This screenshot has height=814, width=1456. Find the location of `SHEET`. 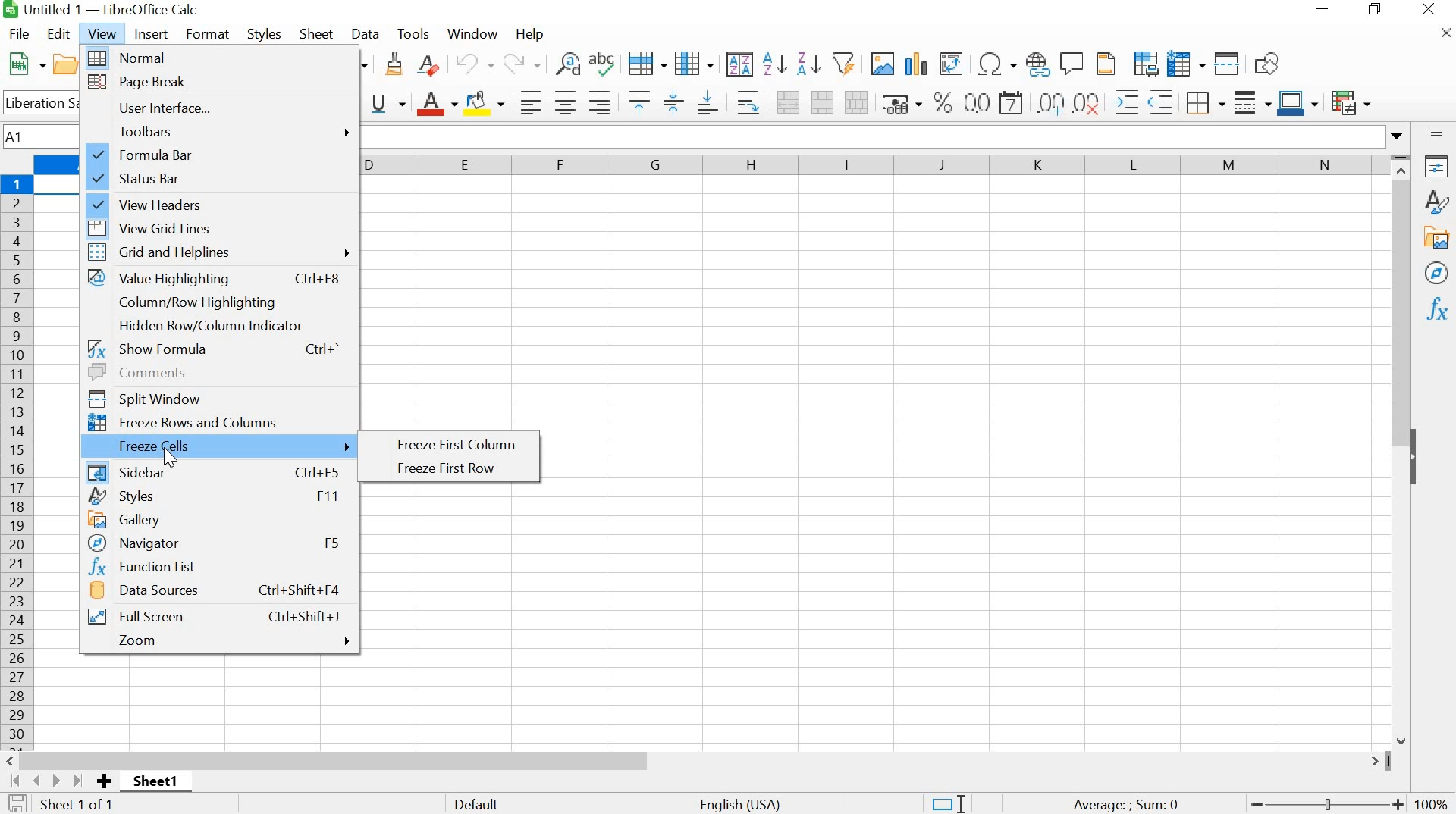

SHEET is located at coordinates (159, 784).